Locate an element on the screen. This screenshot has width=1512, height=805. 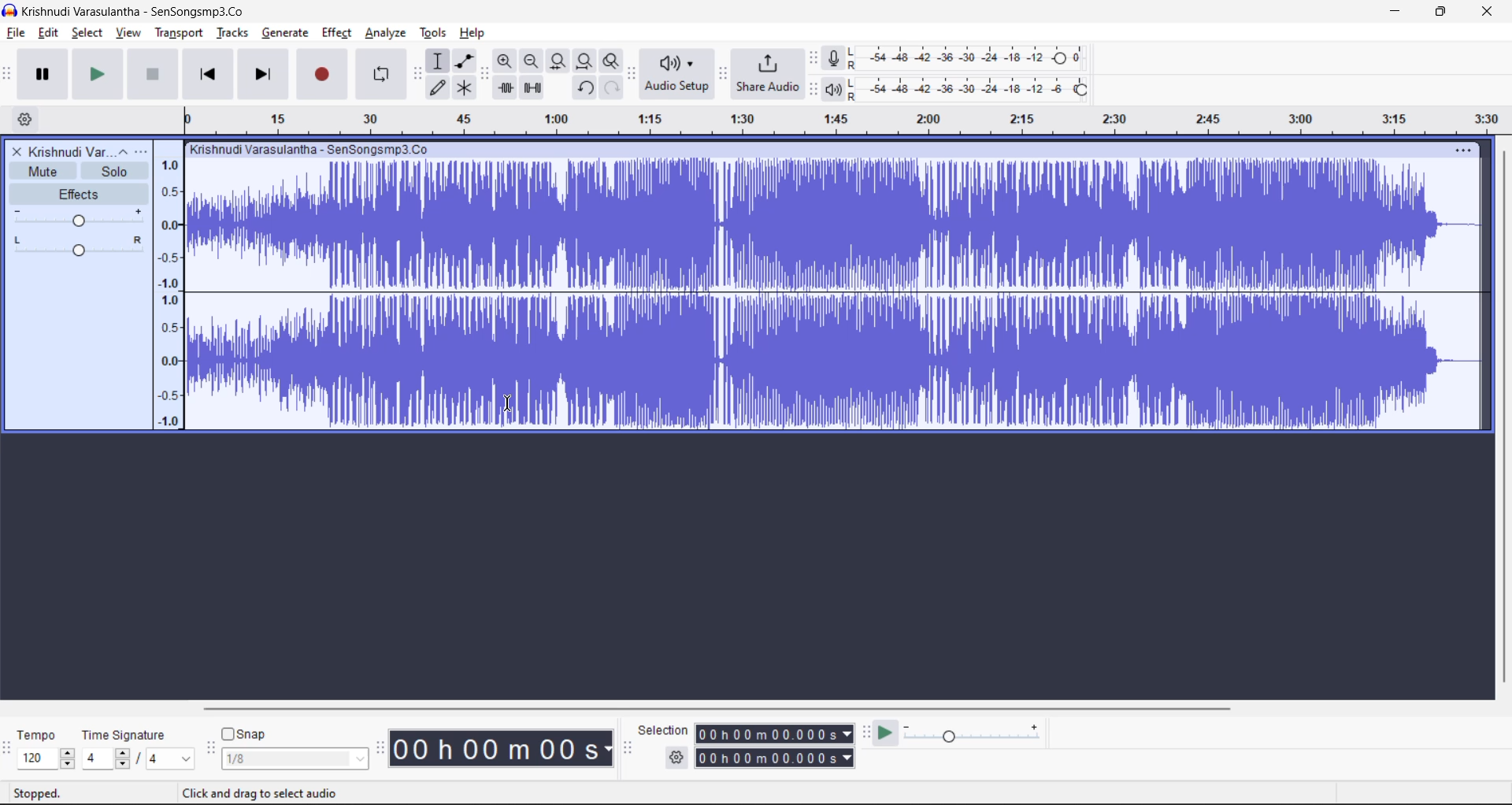
recording level is located at coordinates (977, 57).